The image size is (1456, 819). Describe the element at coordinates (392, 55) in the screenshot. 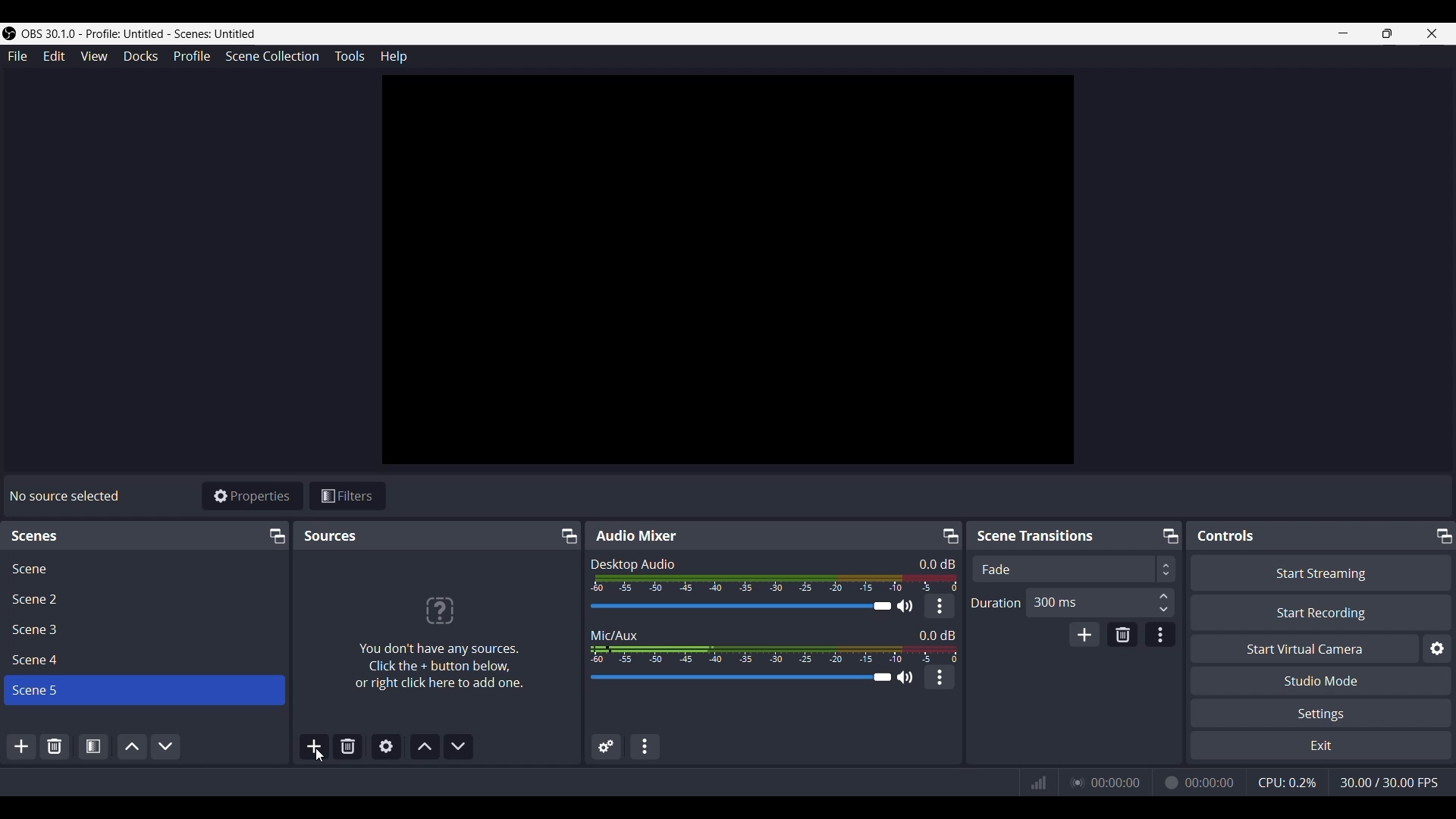

I see `Help` at that location.